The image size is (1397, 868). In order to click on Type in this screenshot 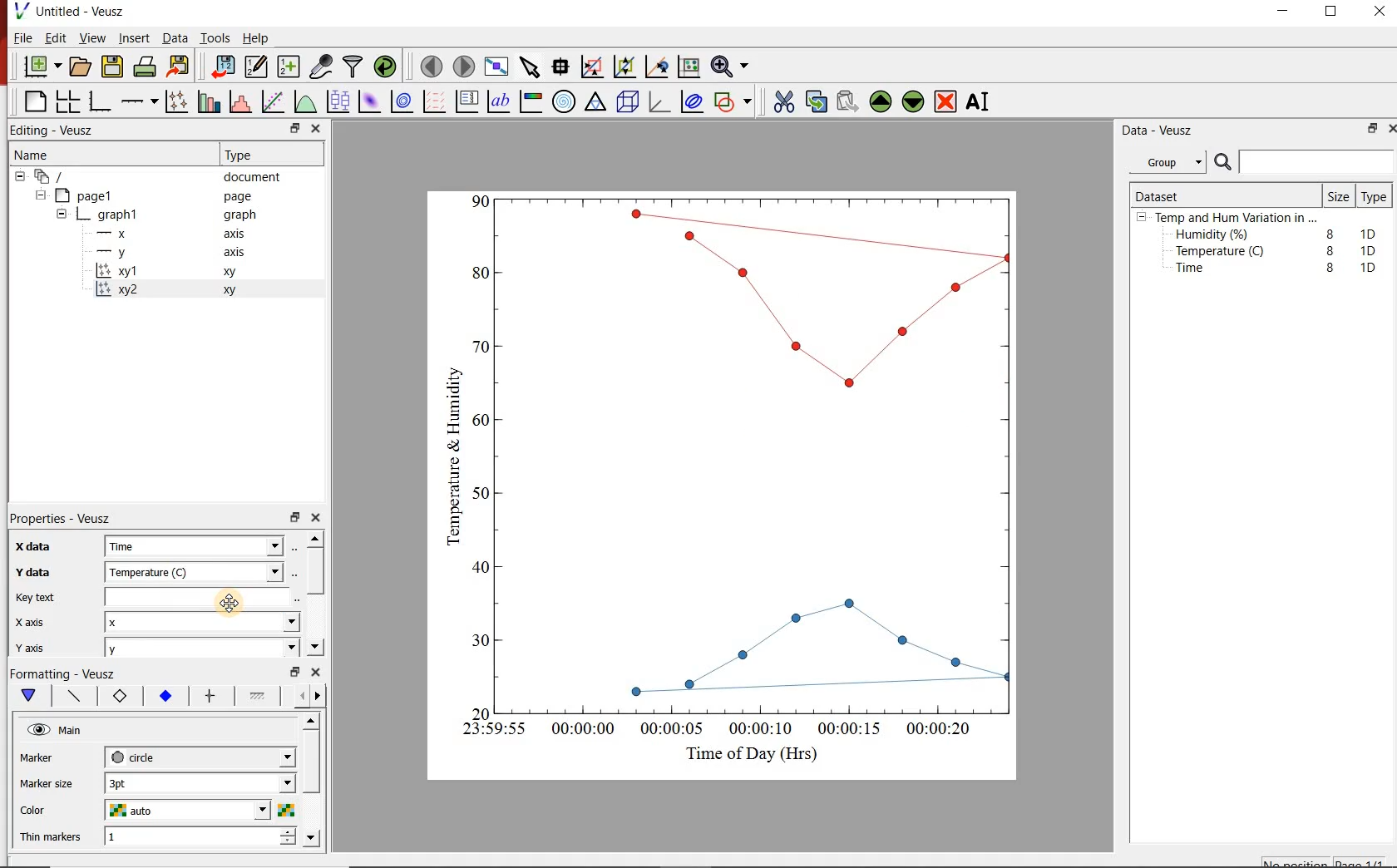, I will do `click(1375, 198)`.